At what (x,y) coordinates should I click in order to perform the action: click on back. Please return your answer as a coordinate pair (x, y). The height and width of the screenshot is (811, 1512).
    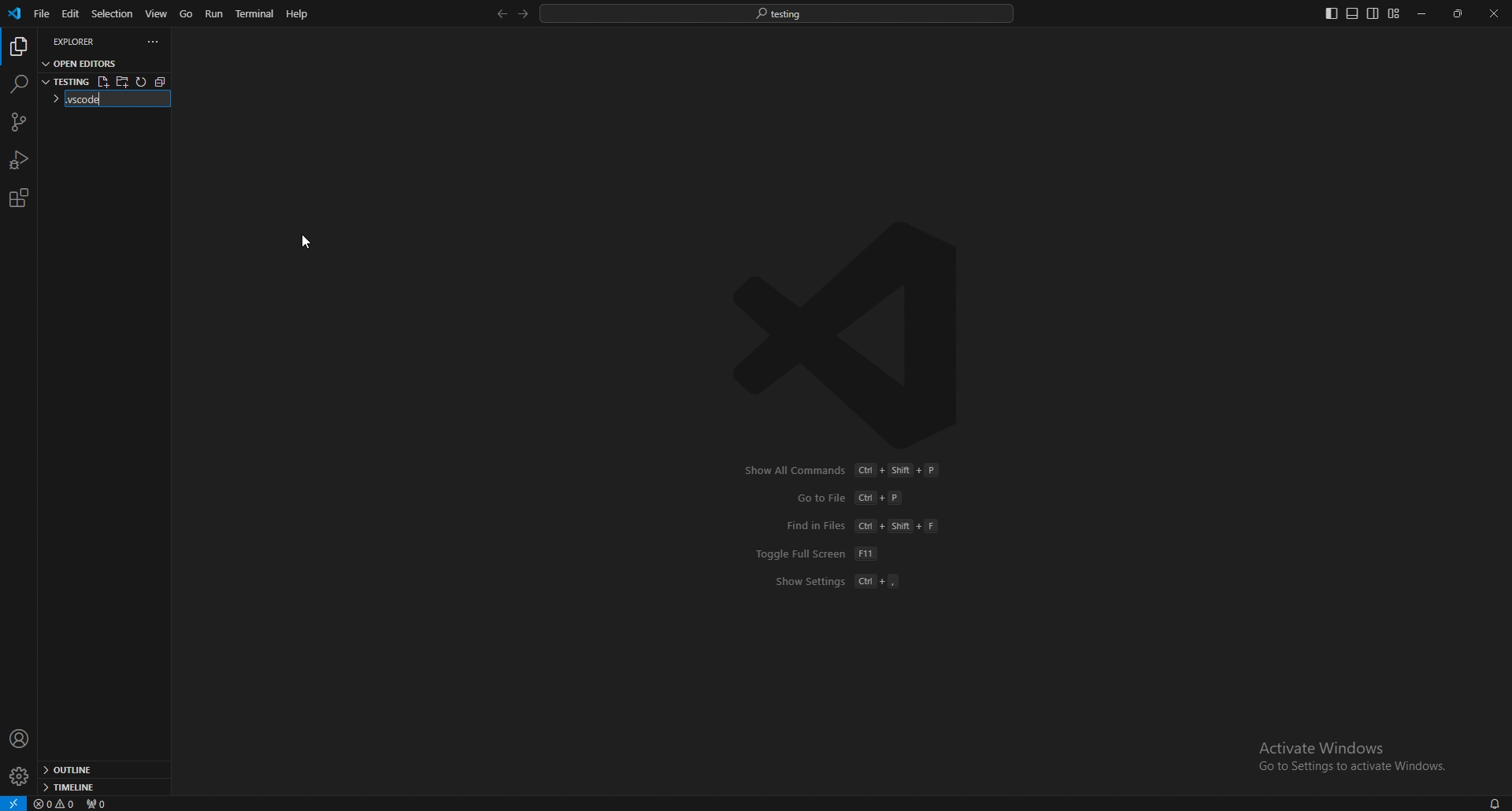
    Looking at the image, I should click on (498, 14).